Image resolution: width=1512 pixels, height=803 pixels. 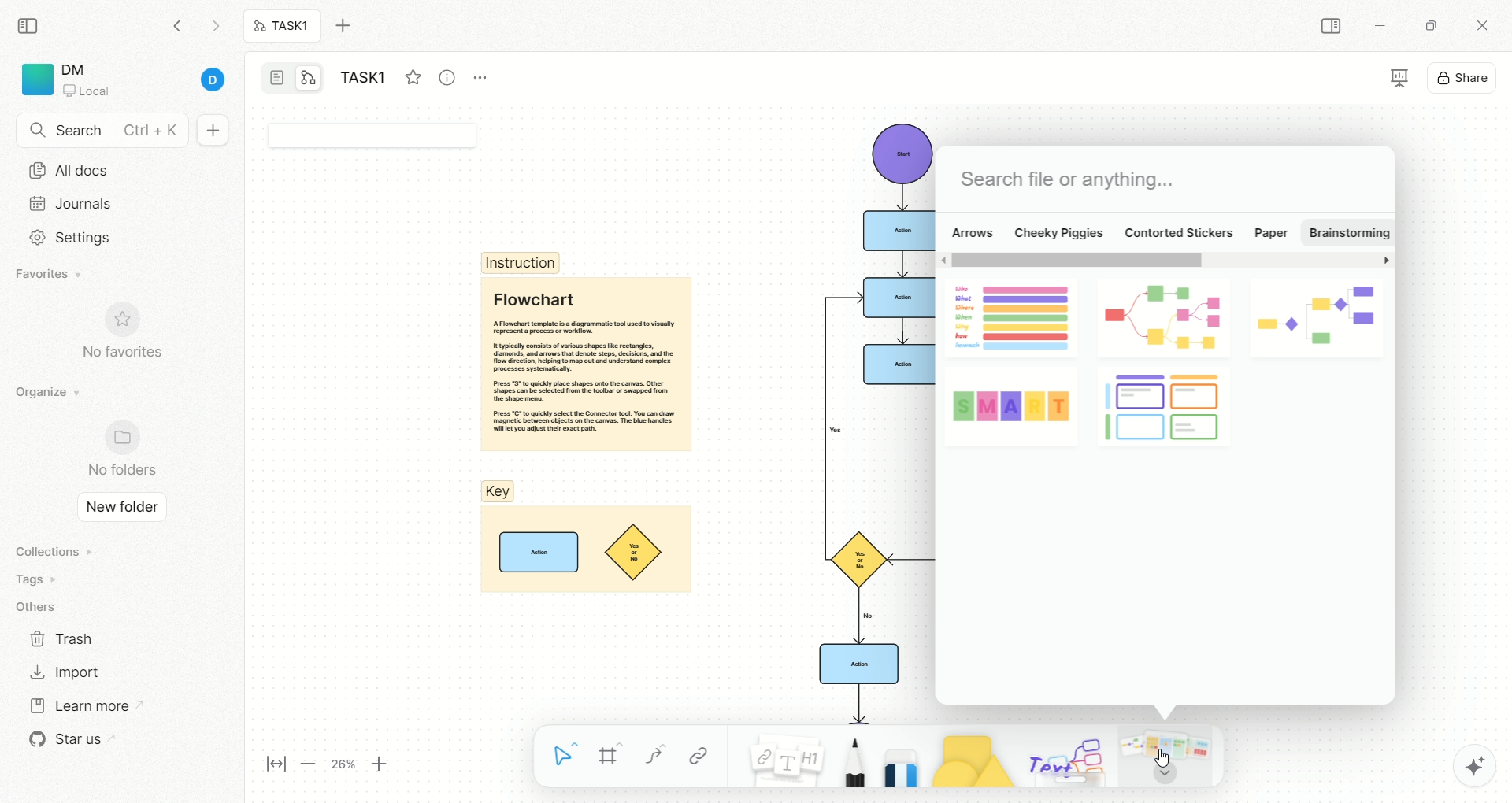 I want to click on go forward, so click(x=215, y=30).